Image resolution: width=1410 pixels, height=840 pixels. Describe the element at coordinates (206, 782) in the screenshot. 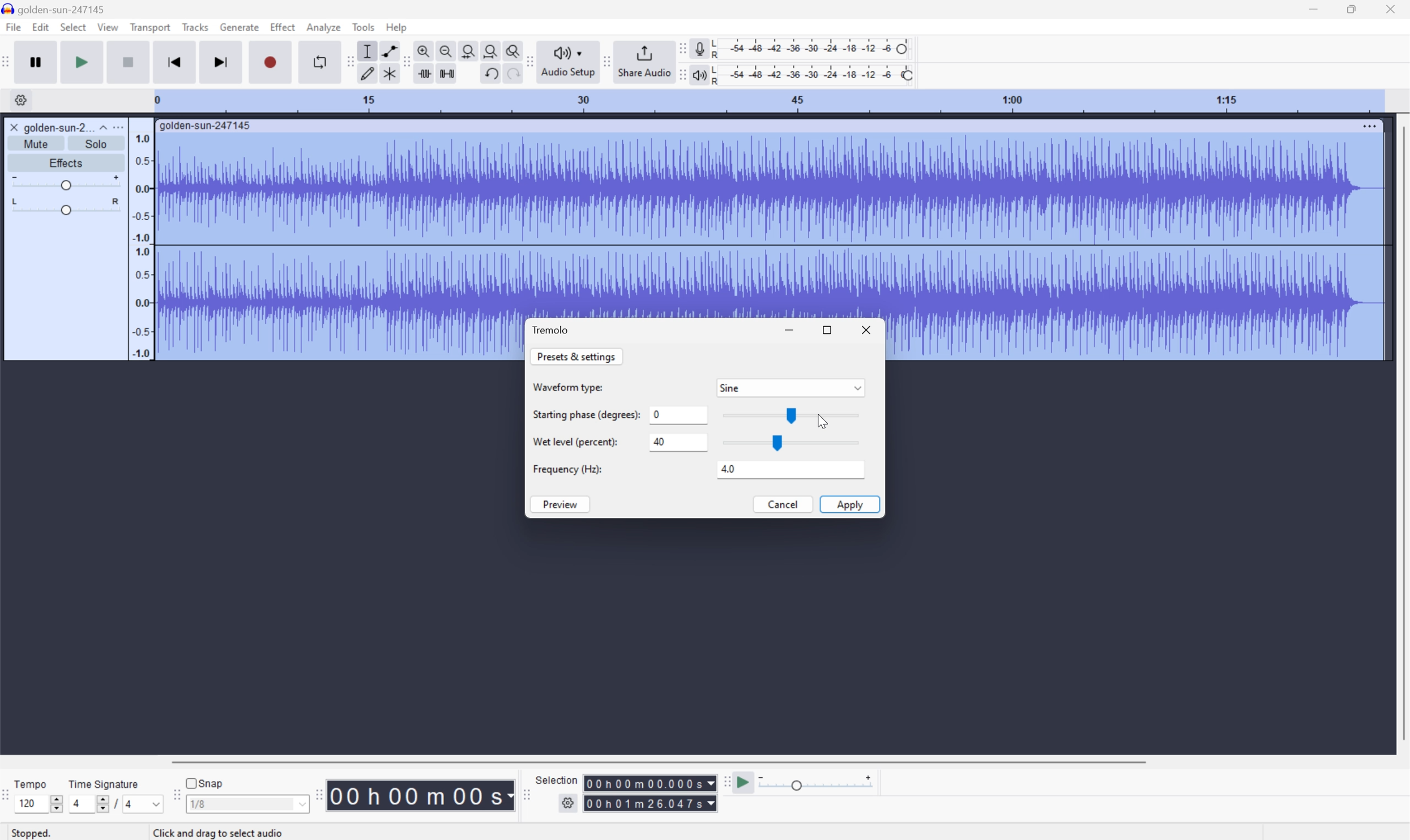

I see `Snap` at that location.